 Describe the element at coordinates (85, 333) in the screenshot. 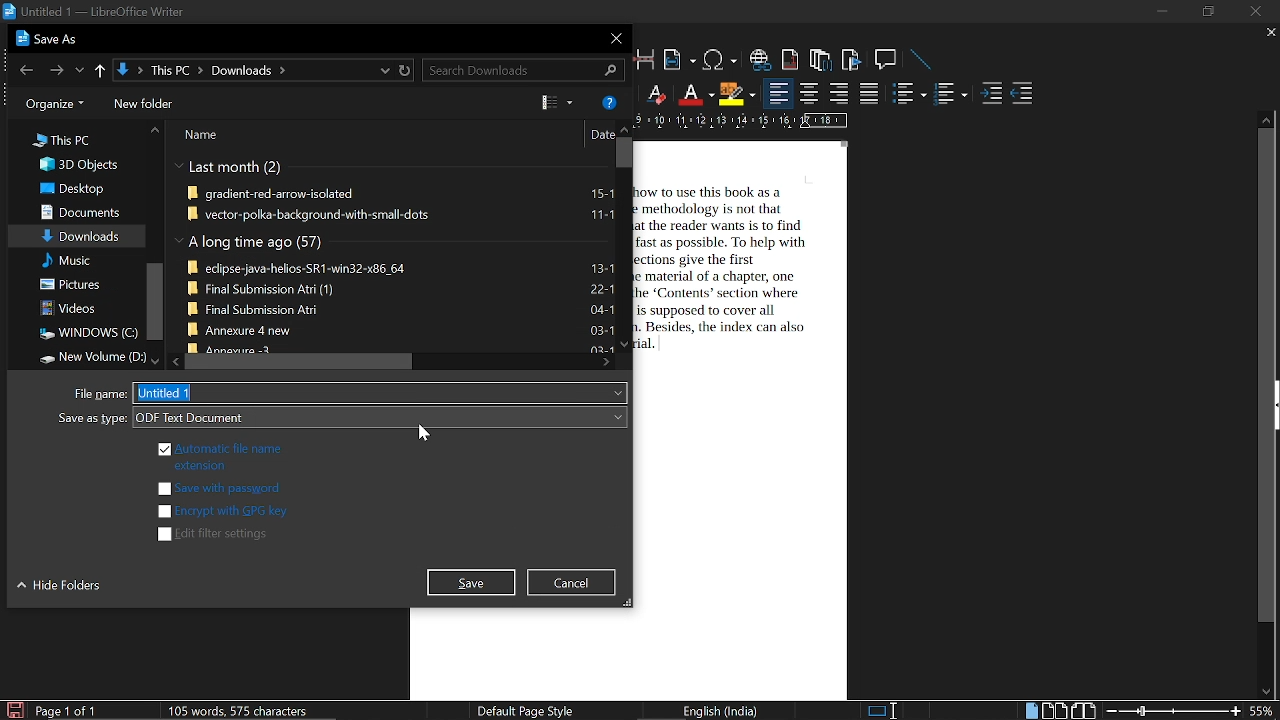

I see `WINDOWS (C)` at that location.